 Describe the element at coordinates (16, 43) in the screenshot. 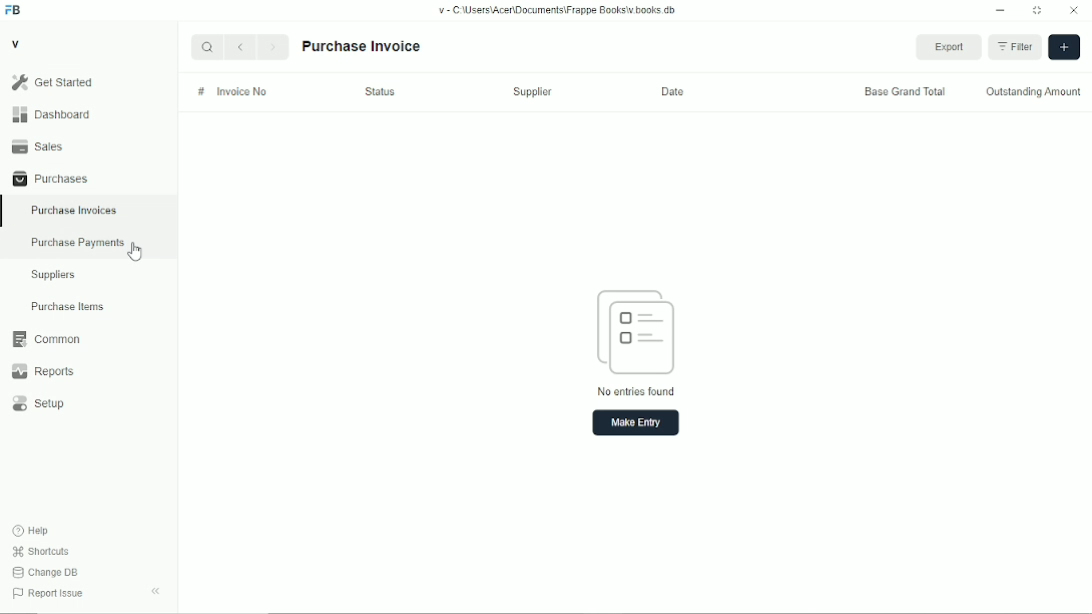

I see `V` at that location.